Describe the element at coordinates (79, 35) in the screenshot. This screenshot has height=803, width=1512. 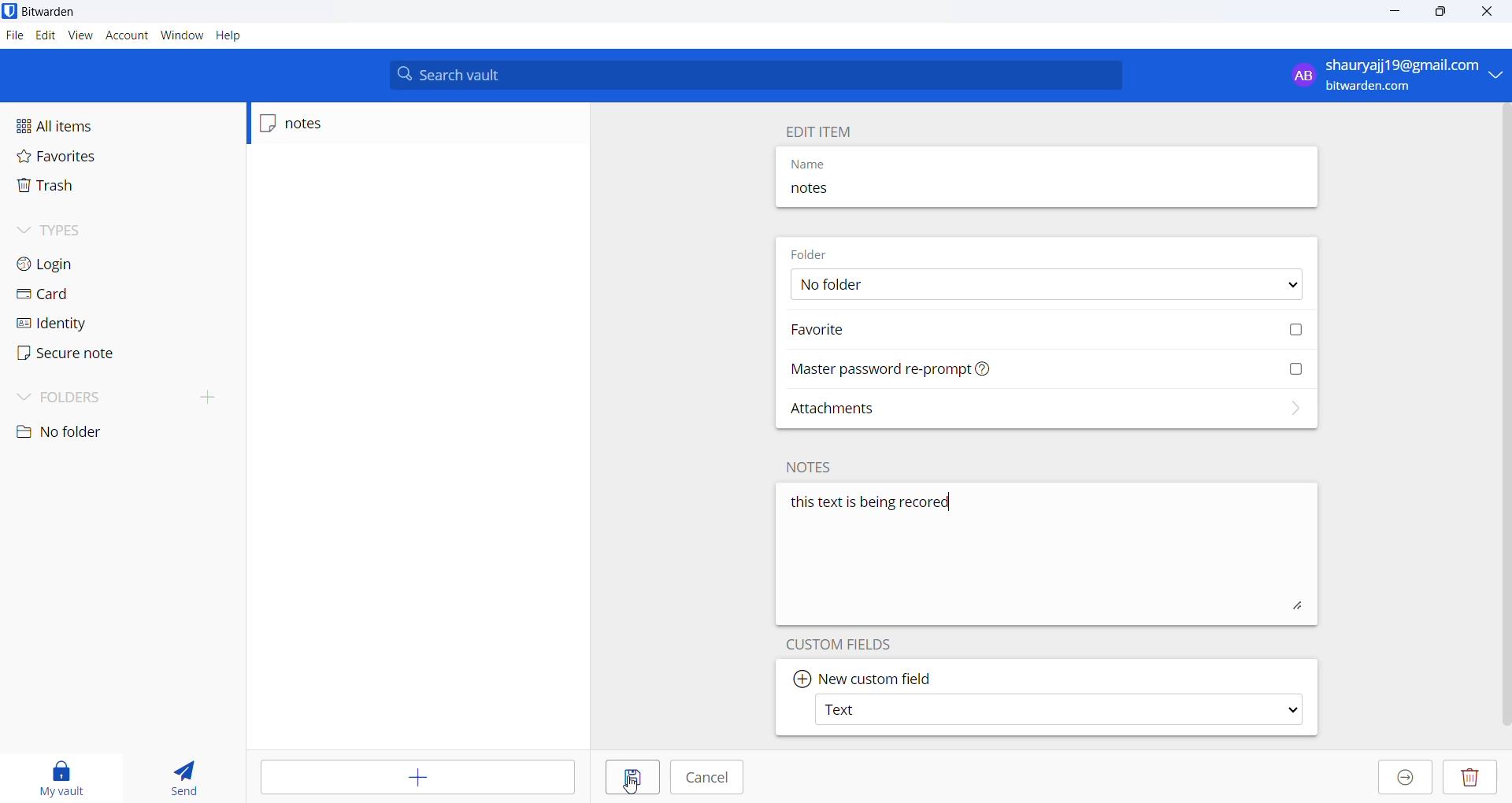
I see `view` at that location.